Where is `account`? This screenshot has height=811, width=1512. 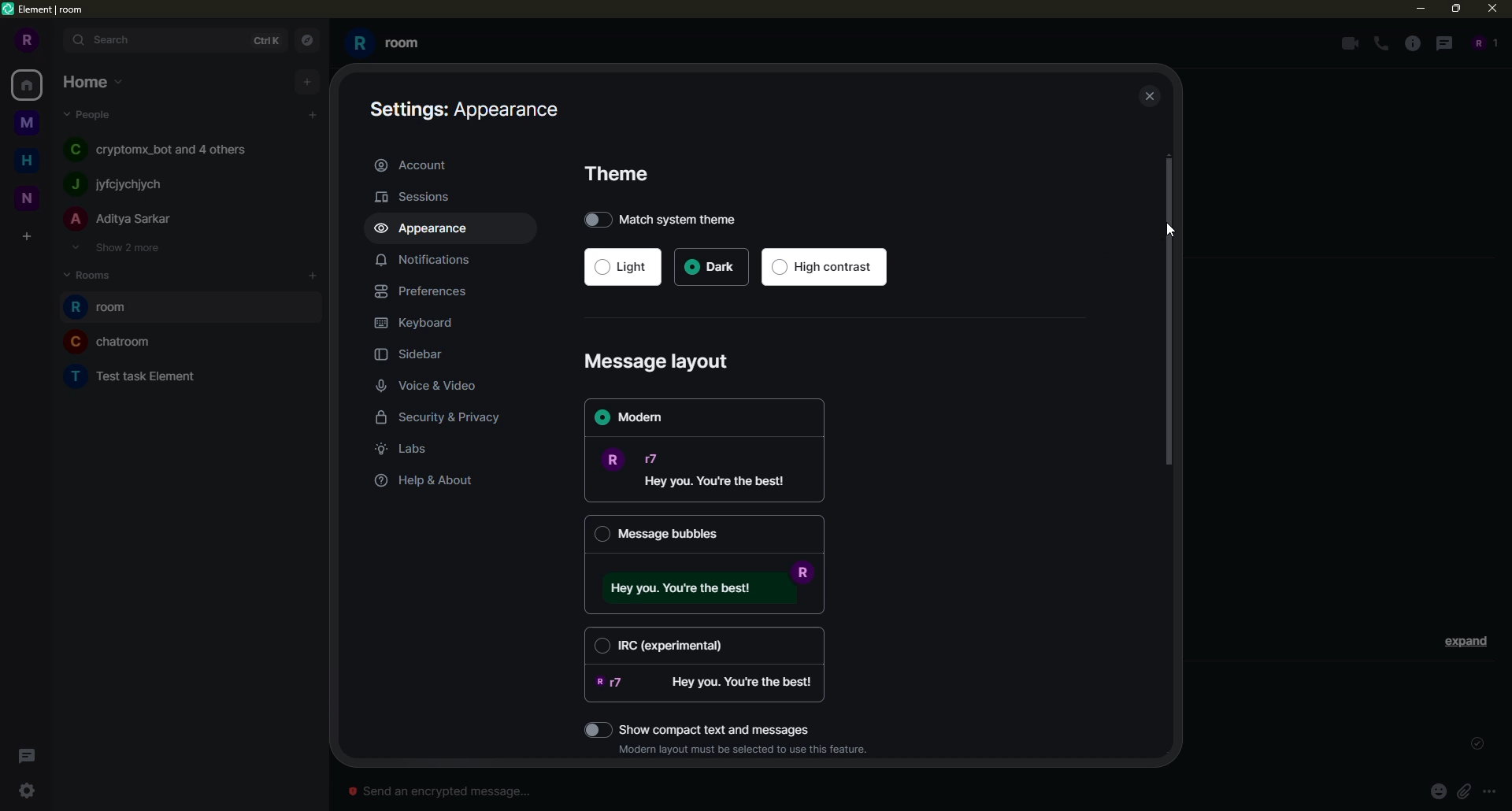
account is located at coordinates (416, 164).